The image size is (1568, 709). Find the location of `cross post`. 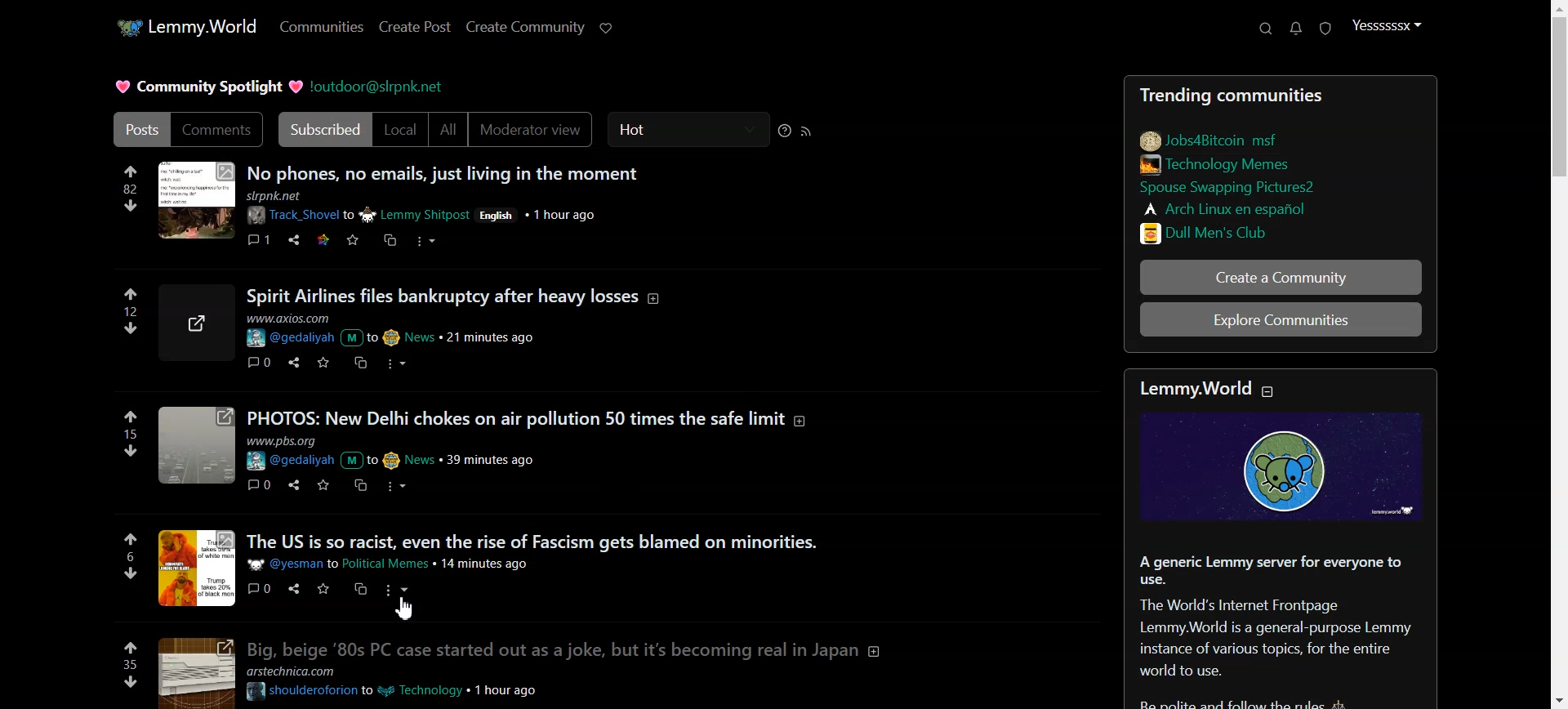

cross post is located at coordinates (359, 486).